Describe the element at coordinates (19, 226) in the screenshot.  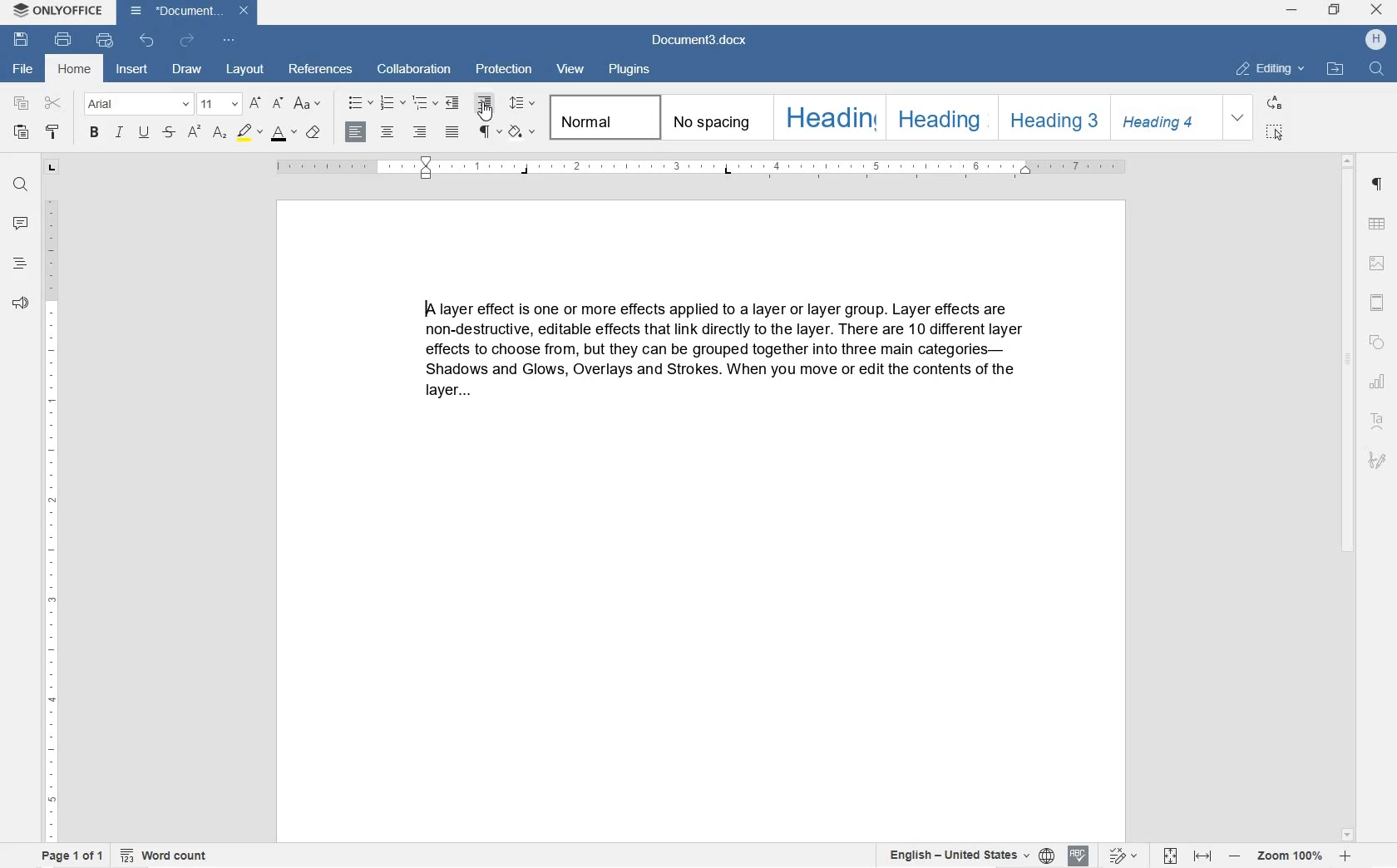
I see `COMMENT` at that location.